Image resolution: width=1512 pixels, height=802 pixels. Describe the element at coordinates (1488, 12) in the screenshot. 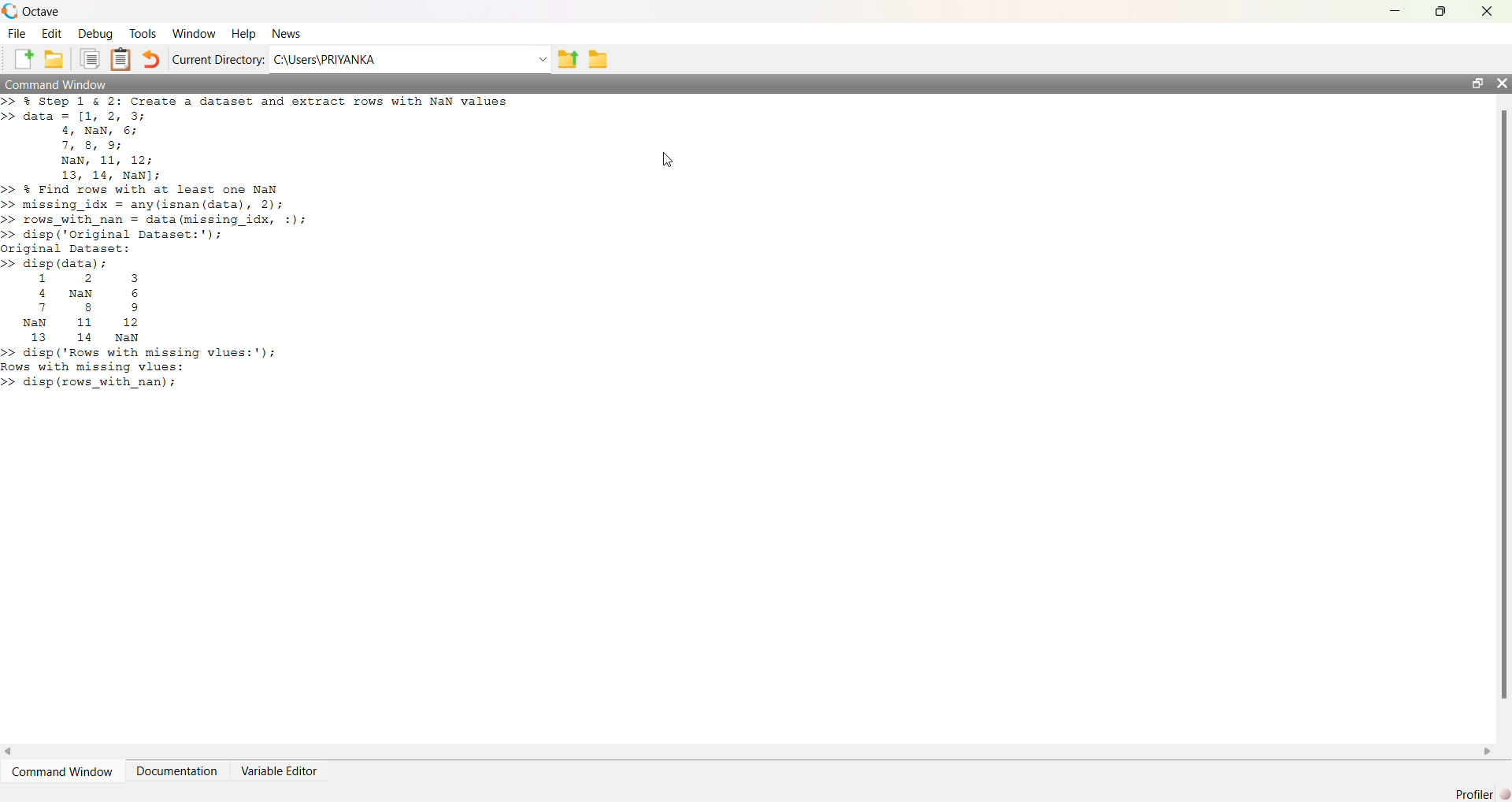

I see `close` at that location.